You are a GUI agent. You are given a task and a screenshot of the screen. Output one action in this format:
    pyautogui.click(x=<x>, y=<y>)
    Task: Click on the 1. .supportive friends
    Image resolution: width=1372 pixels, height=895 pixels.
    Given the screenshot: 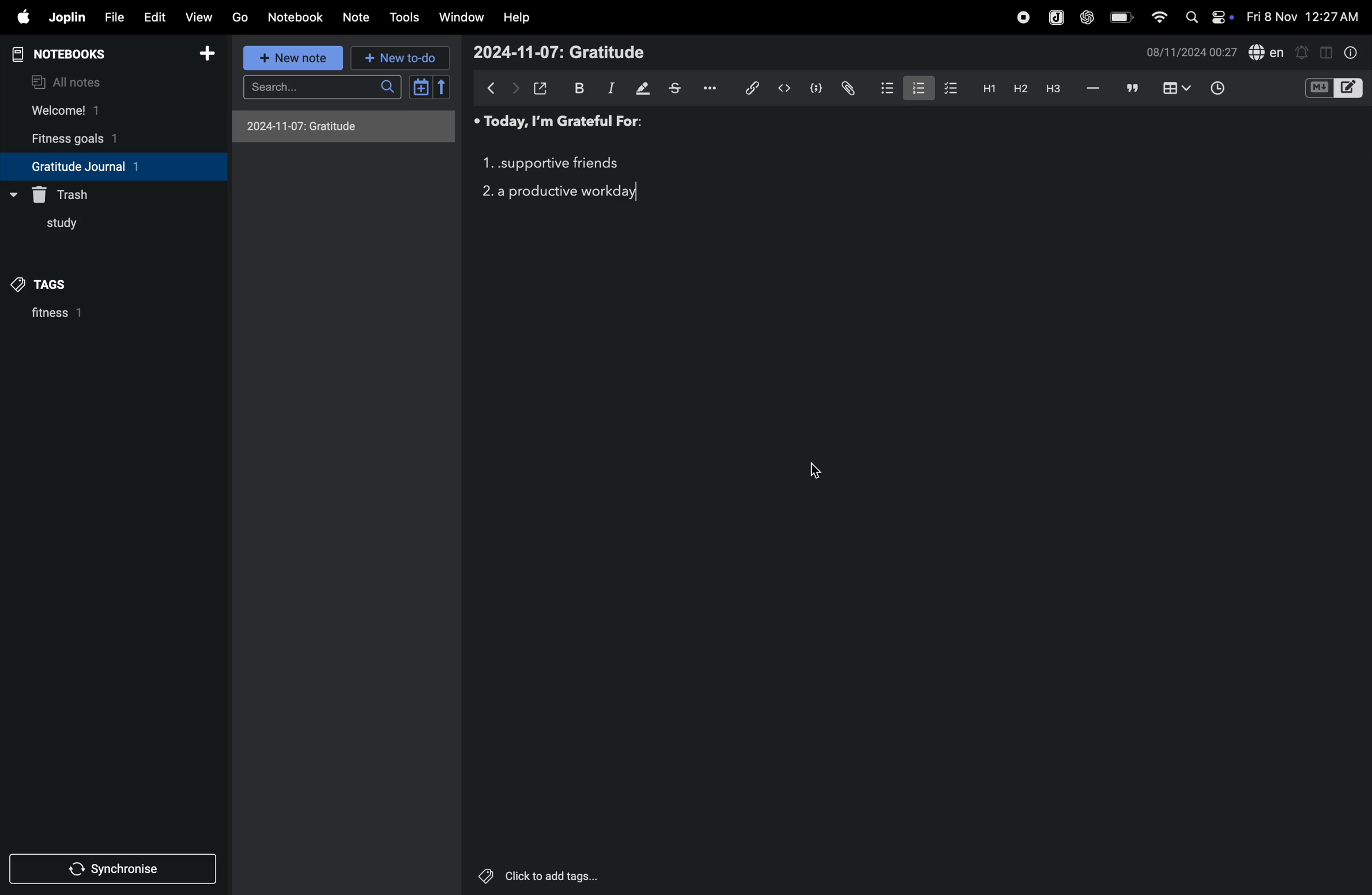 What is the action you would take?
    pyautogui.click(x=550, y=164)
    